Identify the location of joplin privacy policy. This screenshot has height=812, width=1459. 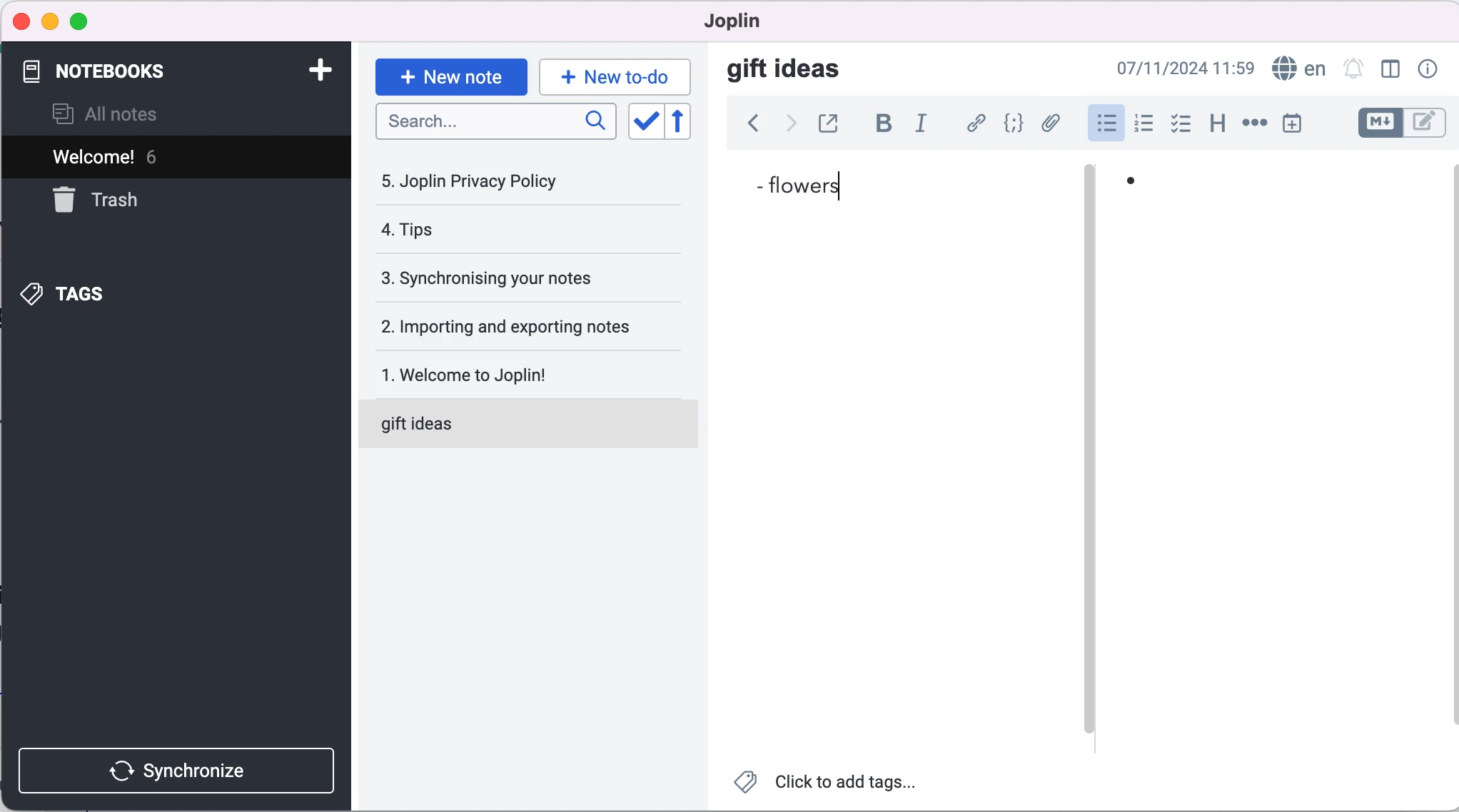
(480, 181).